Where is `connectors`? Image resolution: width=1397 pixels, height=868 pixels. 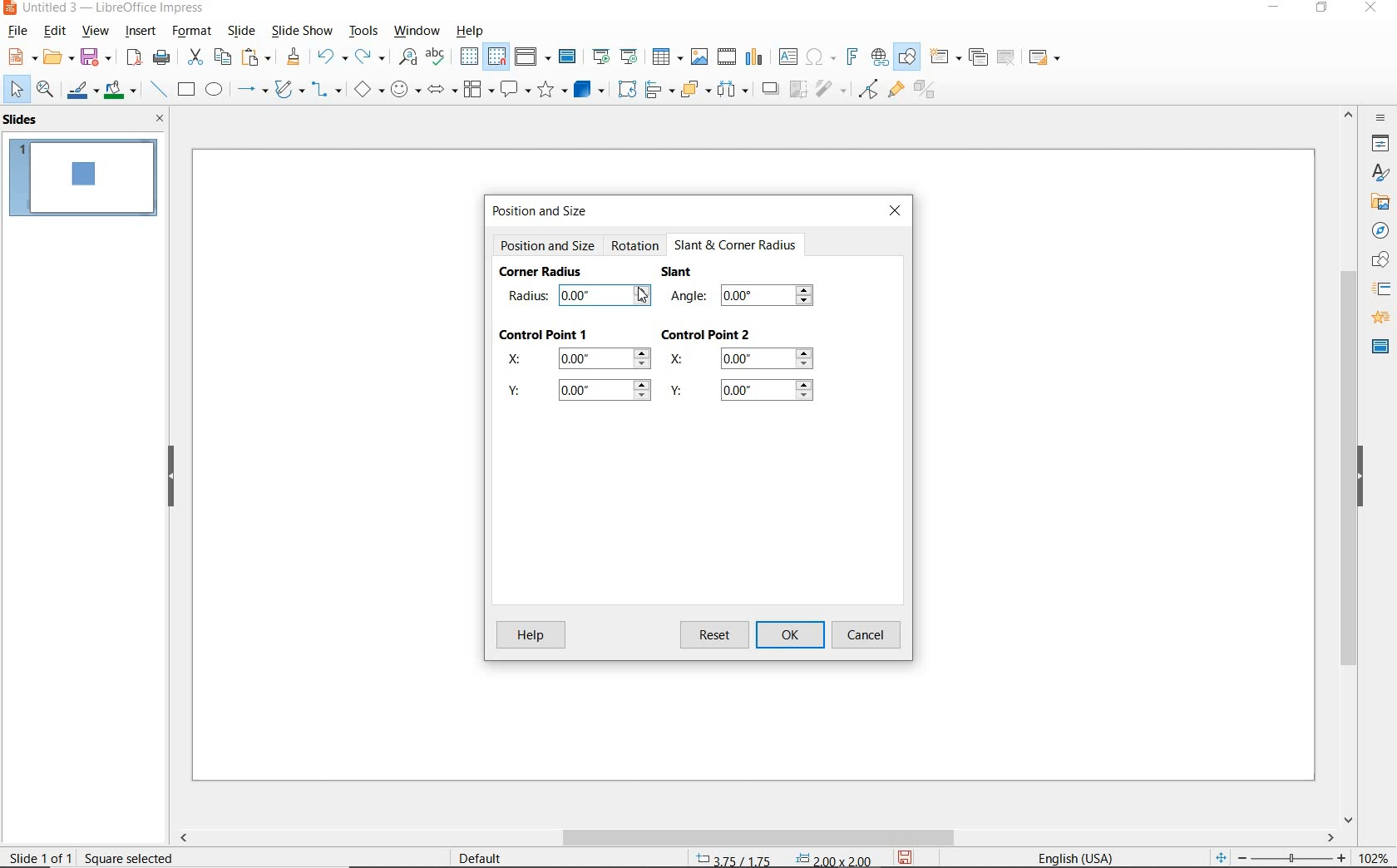
connectors is located at coordinates (326, 91).